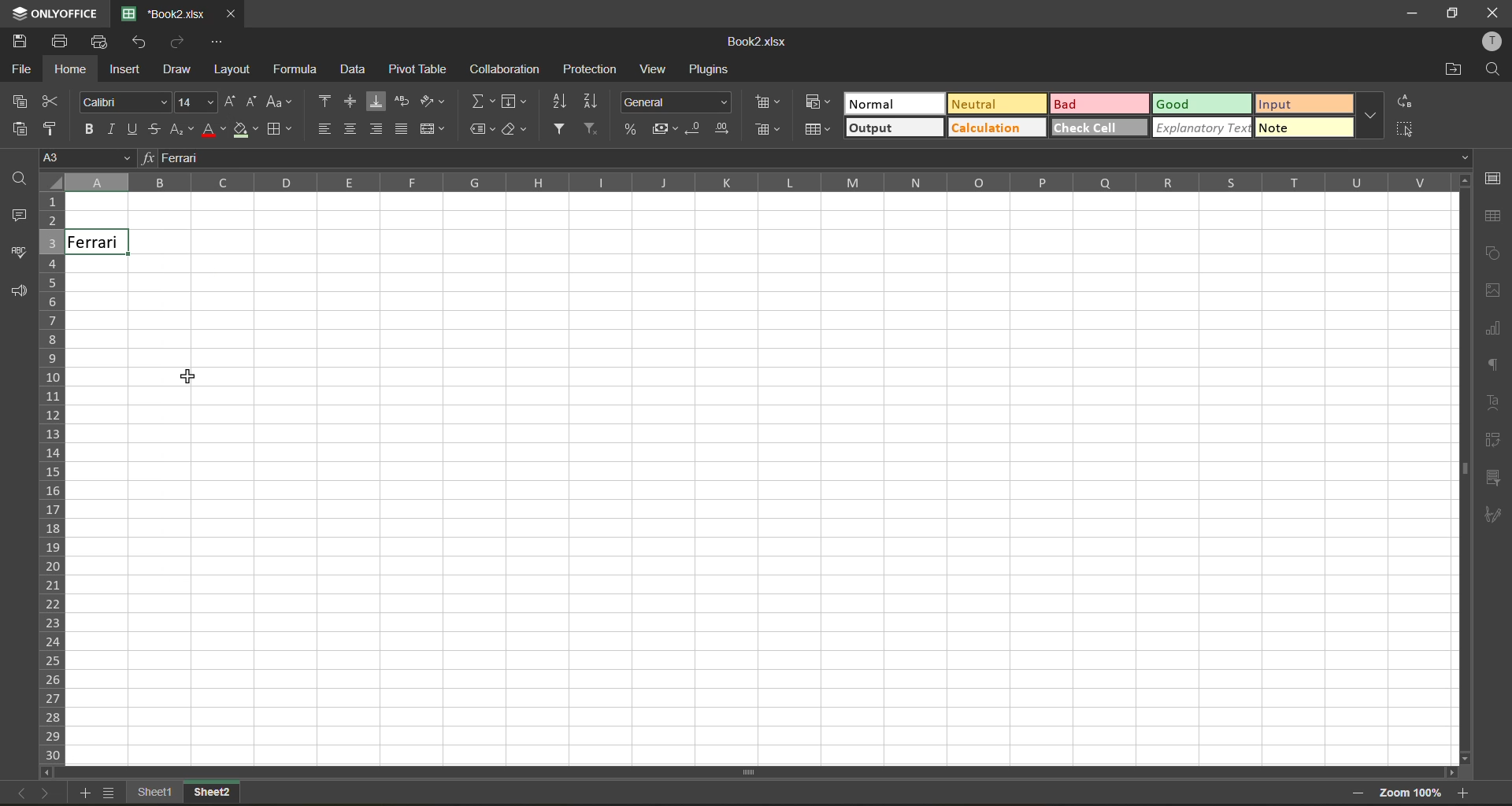 Image resolution: width=1512 pixels, height=806 pixels. Describe the element at coordinates (819, 103) in the screenshot. I see `conditional formatting` at that location.